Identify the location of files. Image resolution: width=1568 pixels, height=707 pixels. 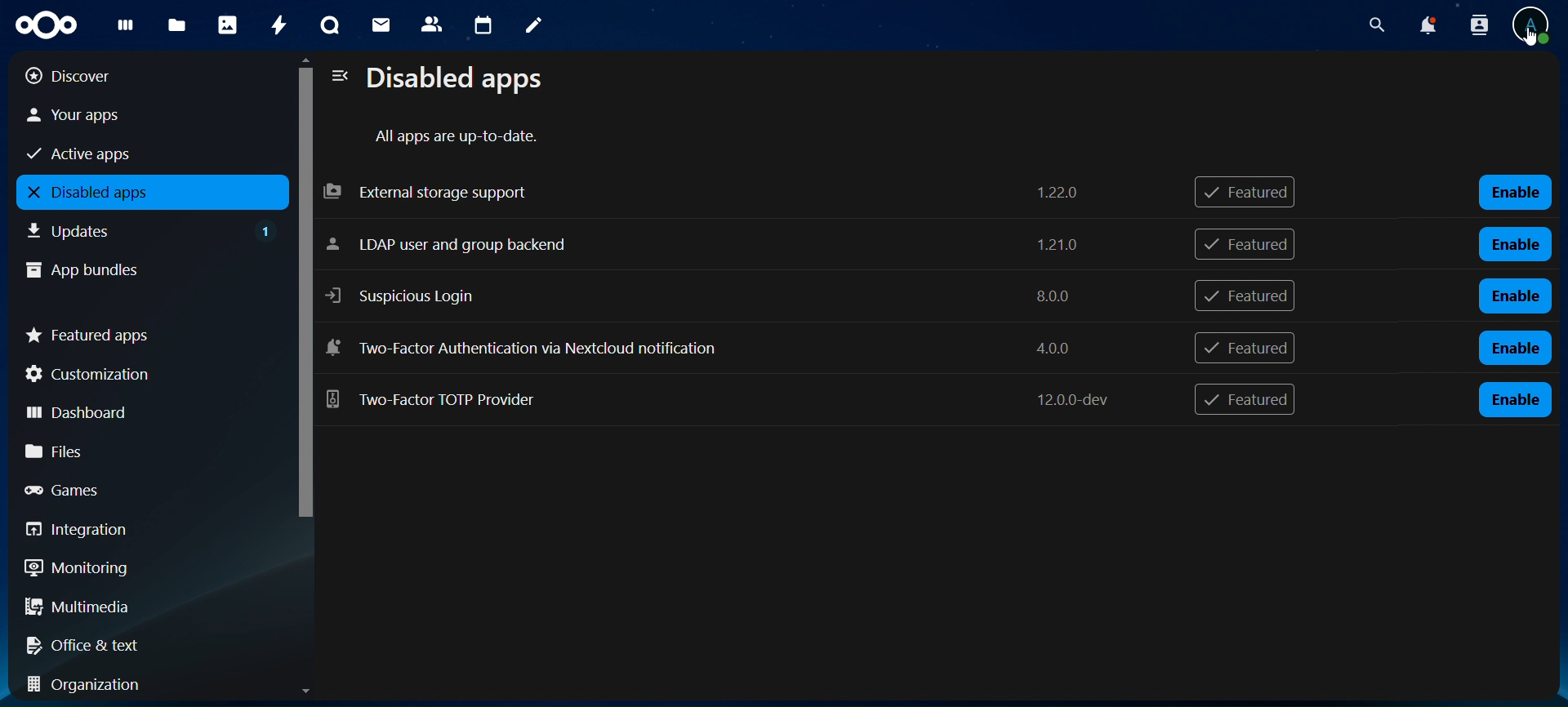
(176, 26).